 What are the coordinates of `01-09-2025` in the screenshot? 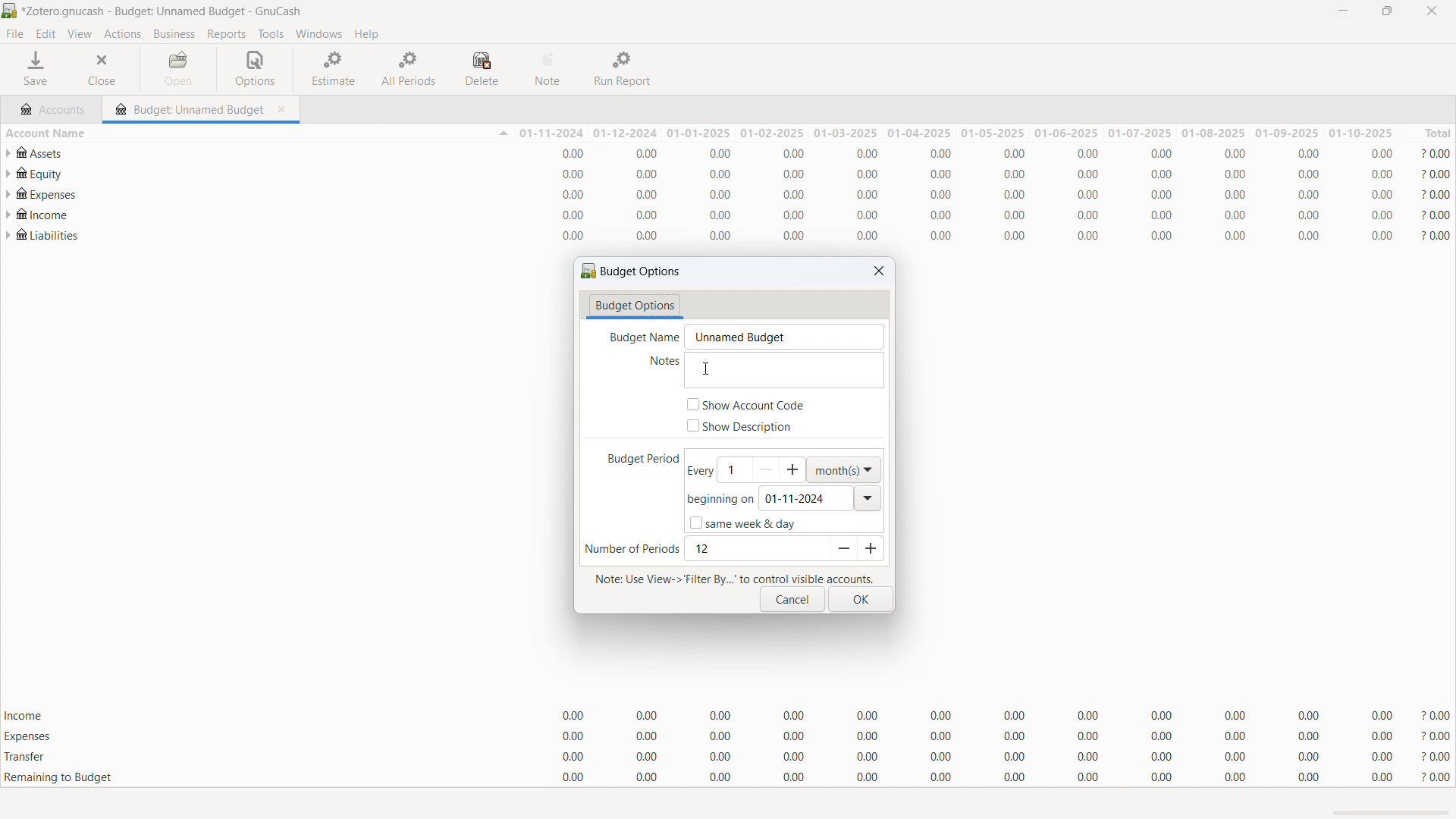 It's located at (1288, 133).